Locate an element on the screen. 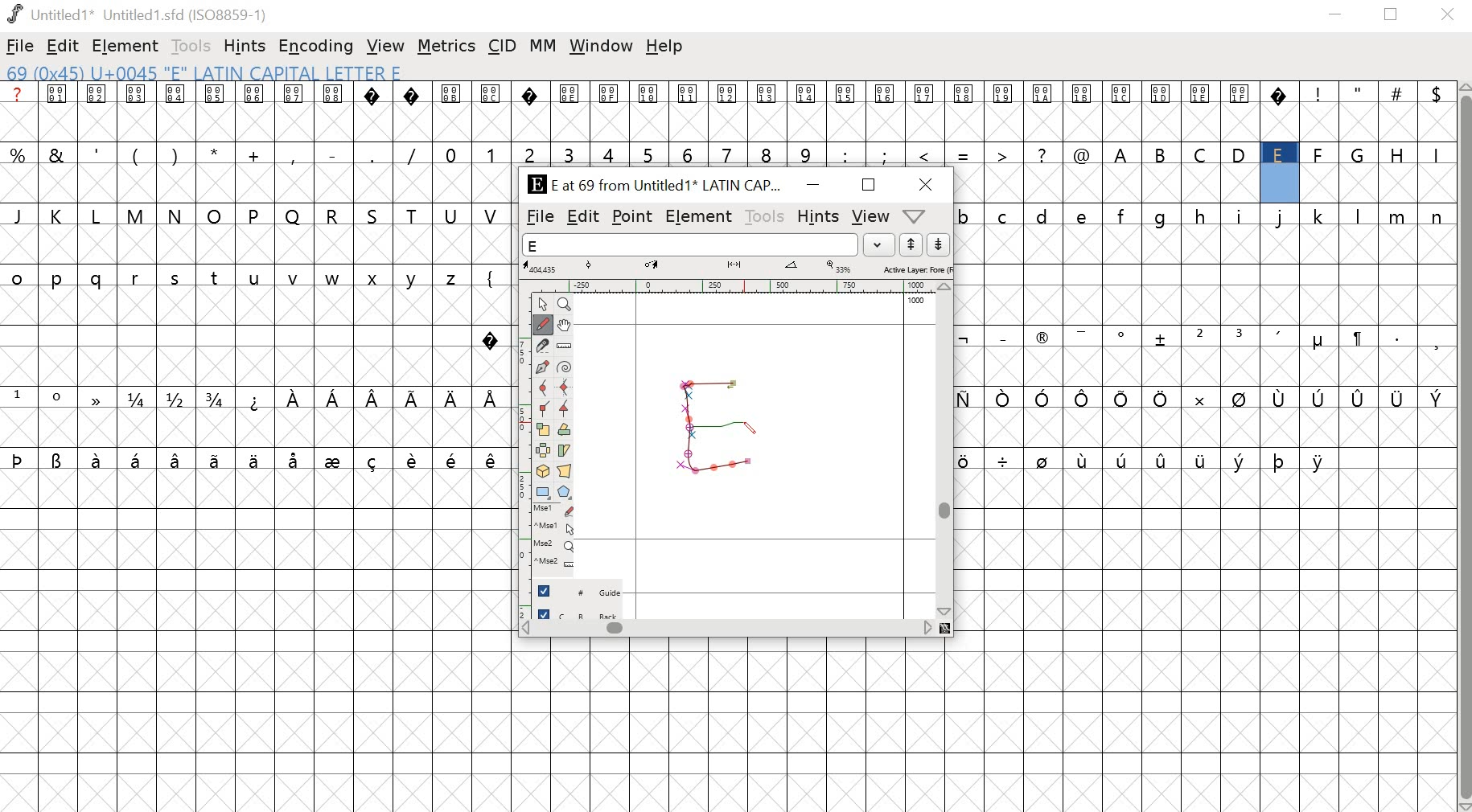  hints is located at coordinates (818, 216).